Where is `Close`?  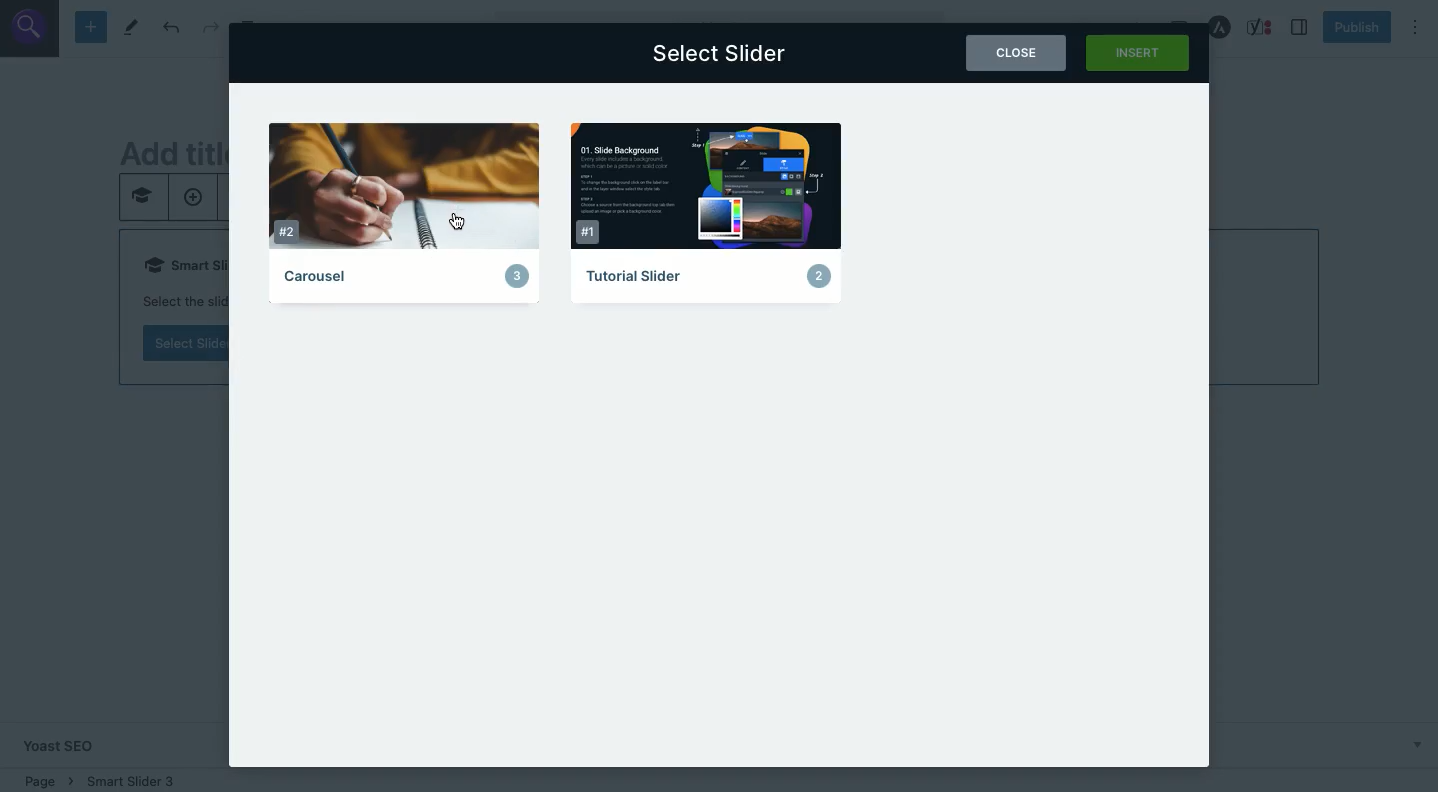
Close is located at coordinates (1016, 54).